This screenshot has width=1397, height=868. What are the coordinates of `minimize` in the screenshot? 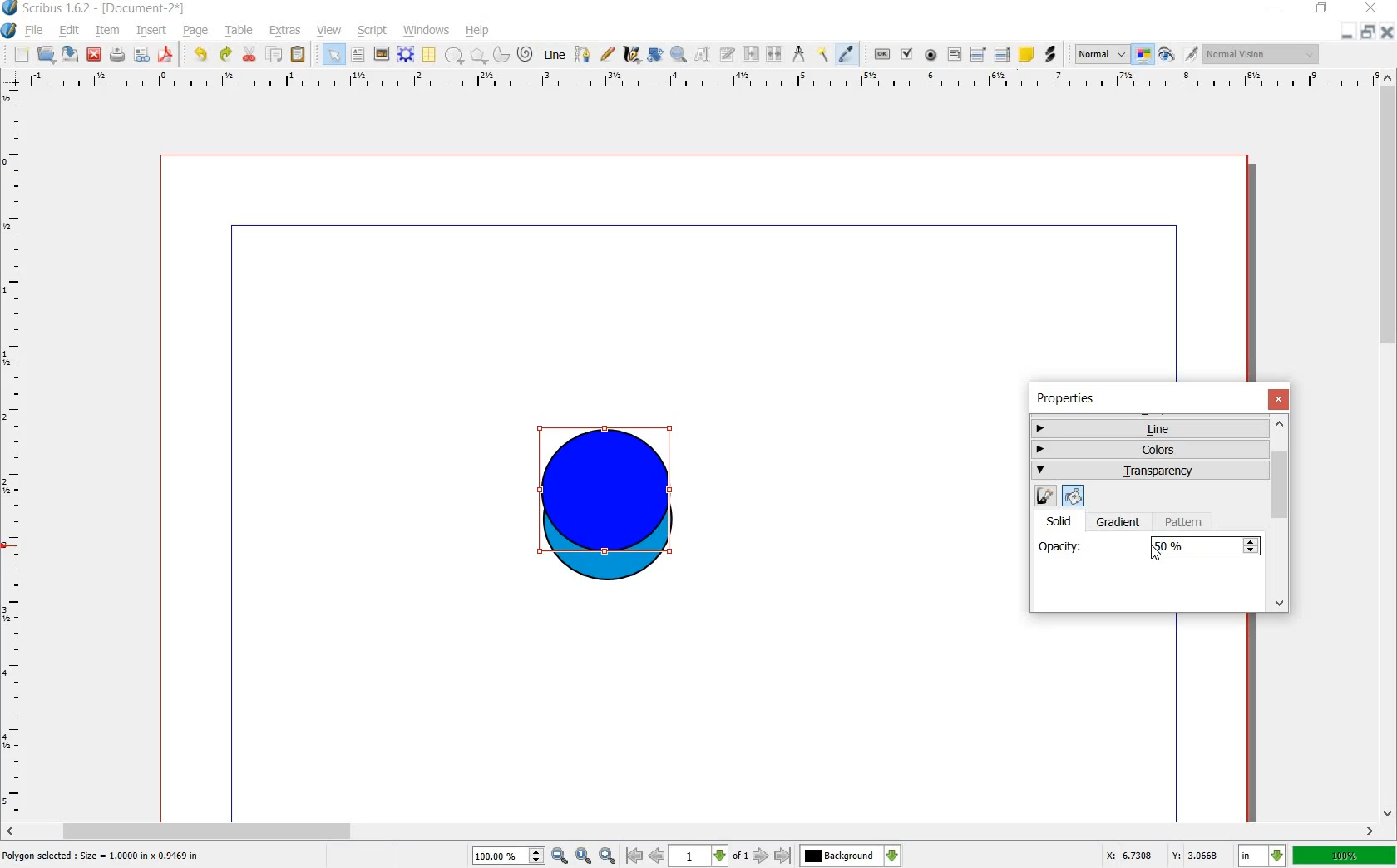 It's located at (1346, 33).